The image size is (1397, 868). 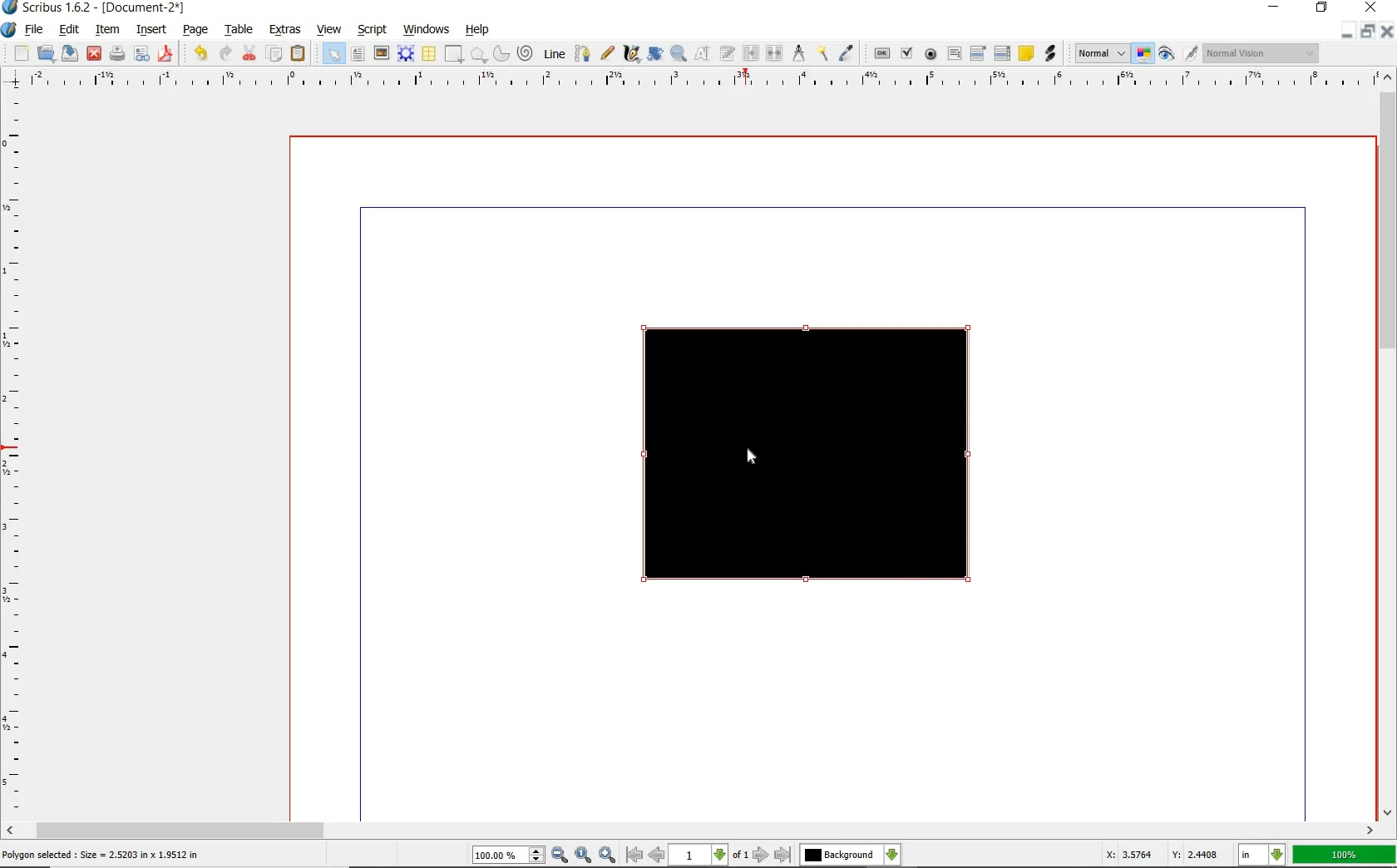 I want to click on item, so click(x=109, y=29).